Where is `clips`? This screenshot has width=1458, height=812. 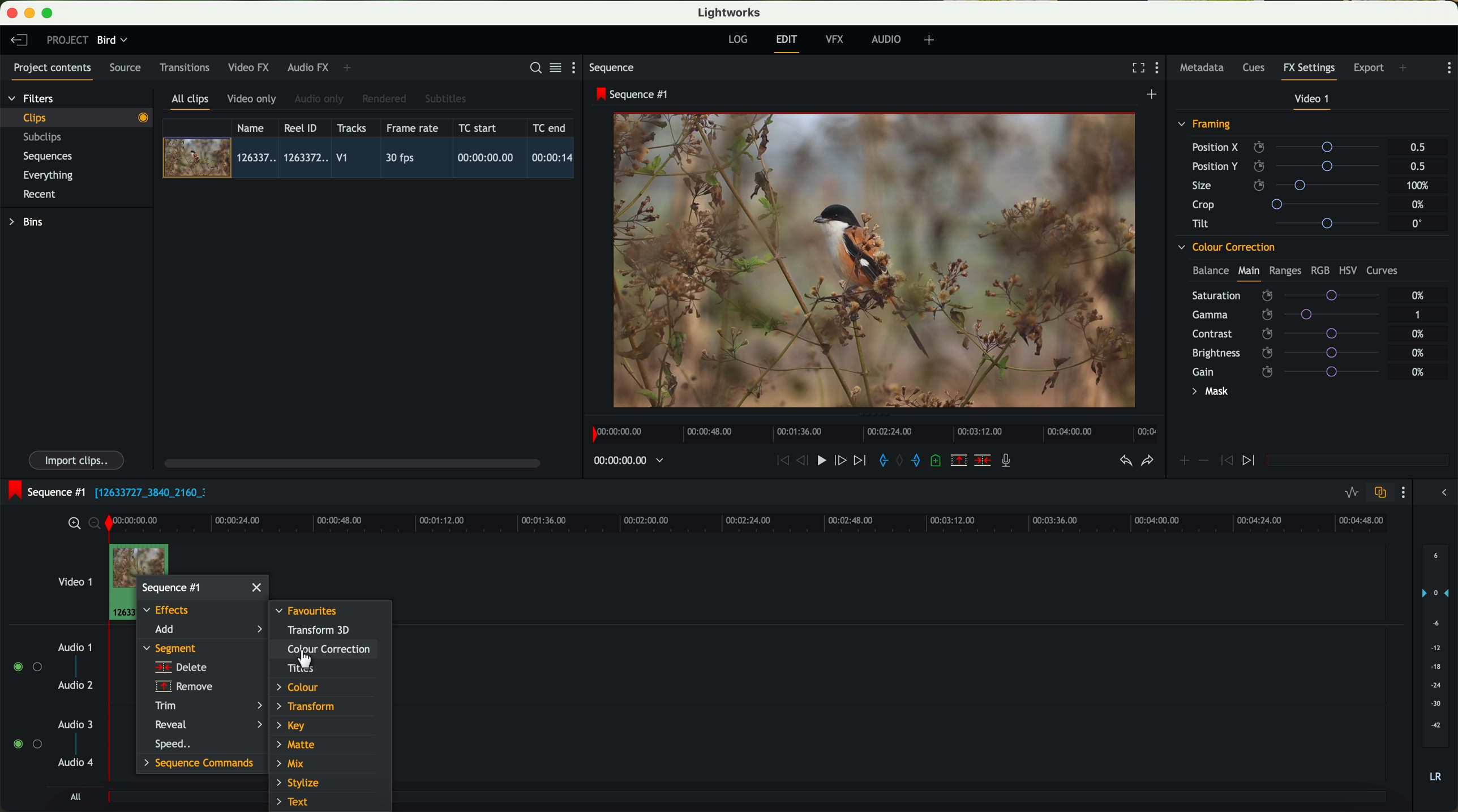
clips is located at coordinates (77, 117).